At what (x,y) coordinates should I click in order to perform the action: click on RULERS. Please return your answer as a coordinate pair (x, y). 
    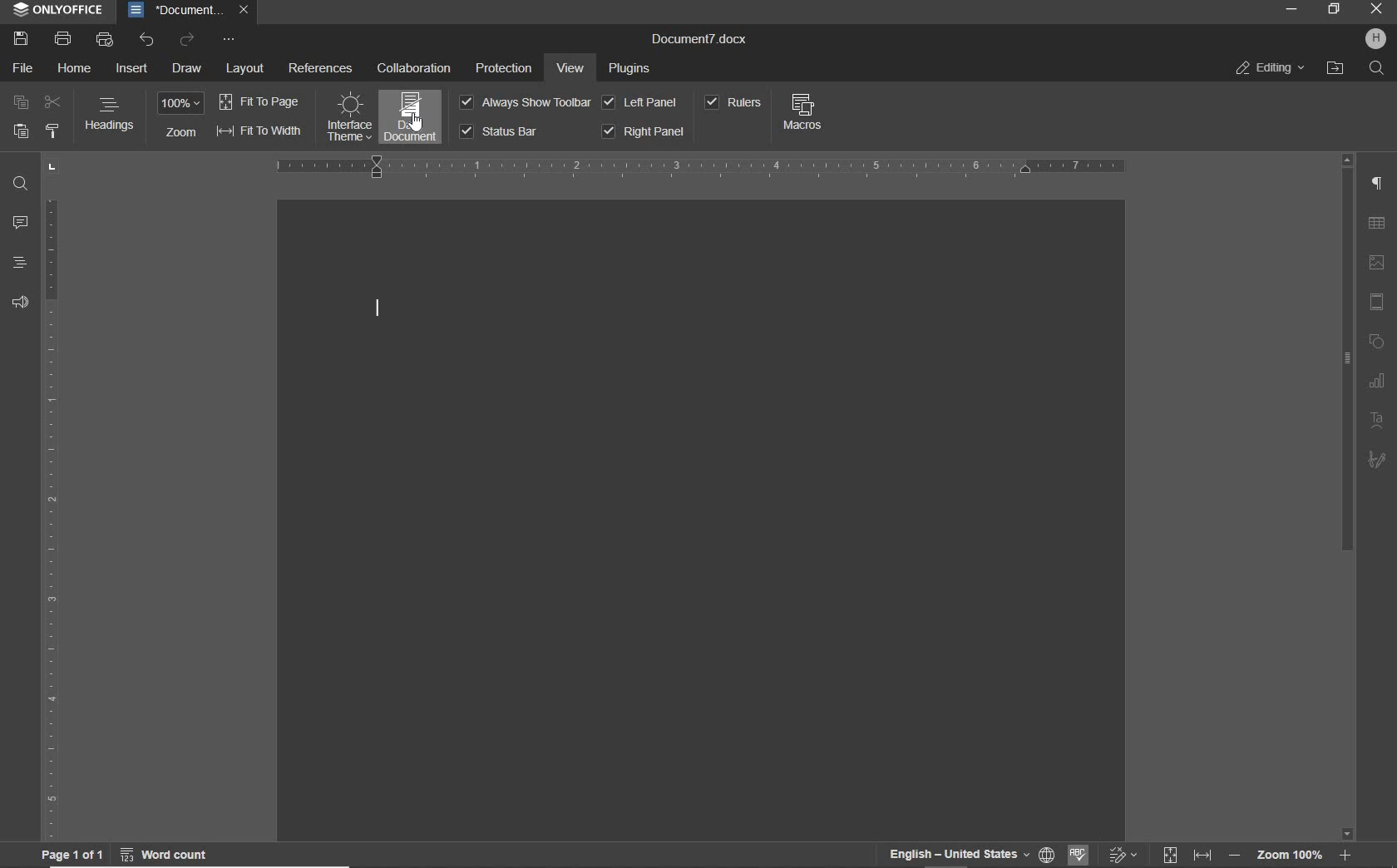
    Looking at the image, I should click on (734, 104).